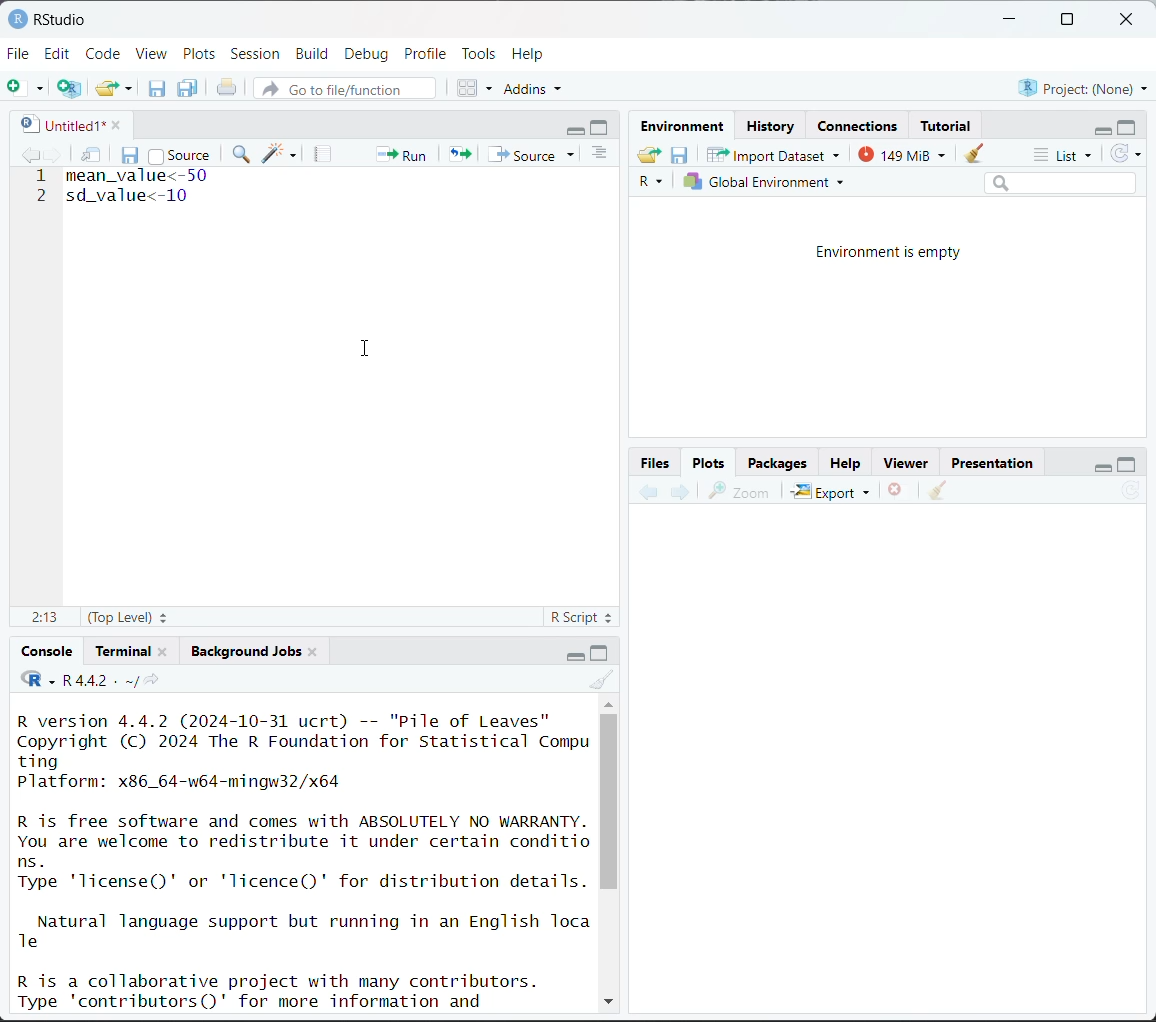  What do you see at coordinates (19, 53) in the screenshot?
I see `File` at bounding box center [19, 53].